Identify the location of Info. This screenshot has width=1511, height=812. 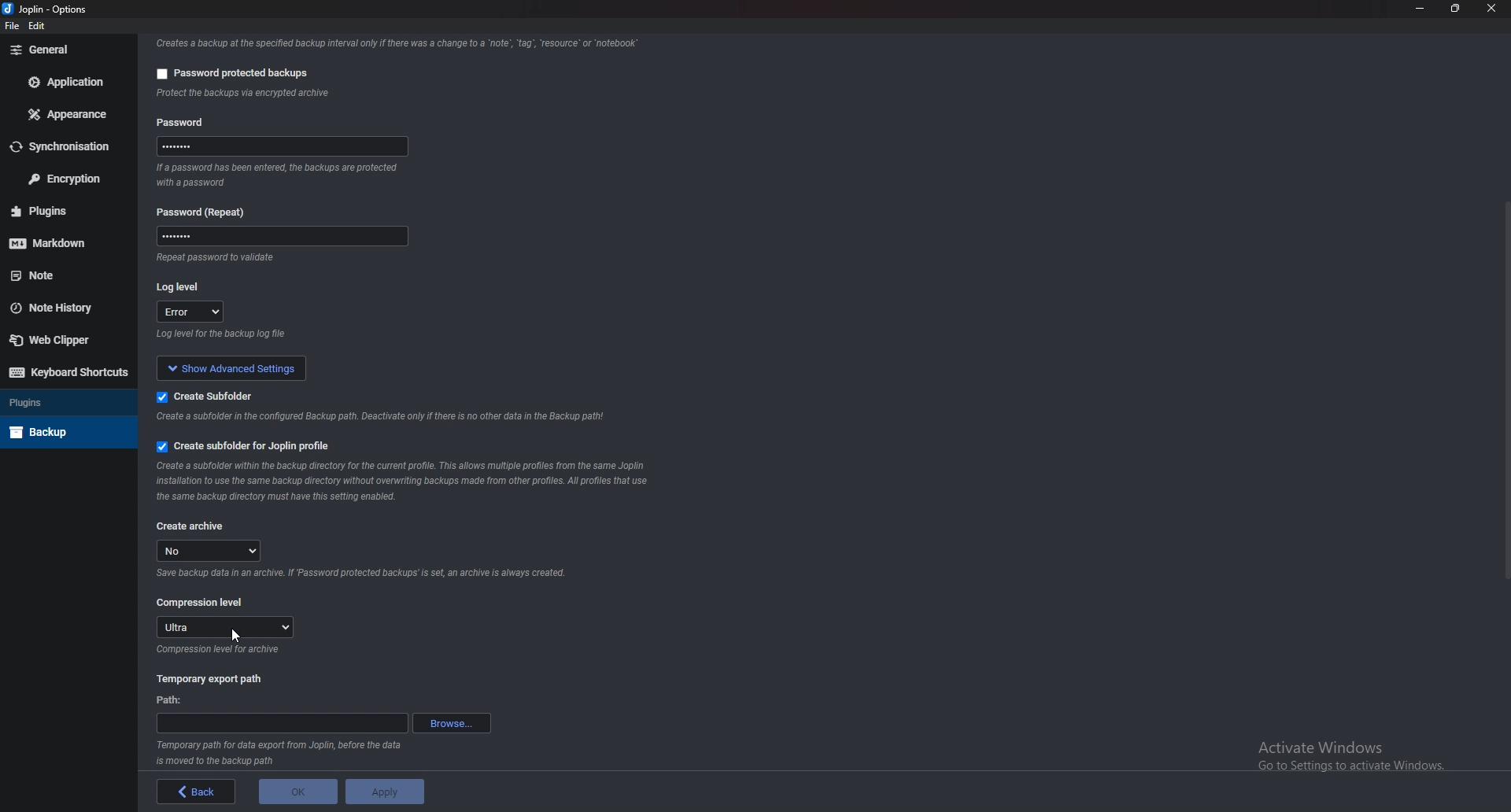
(406, 481).